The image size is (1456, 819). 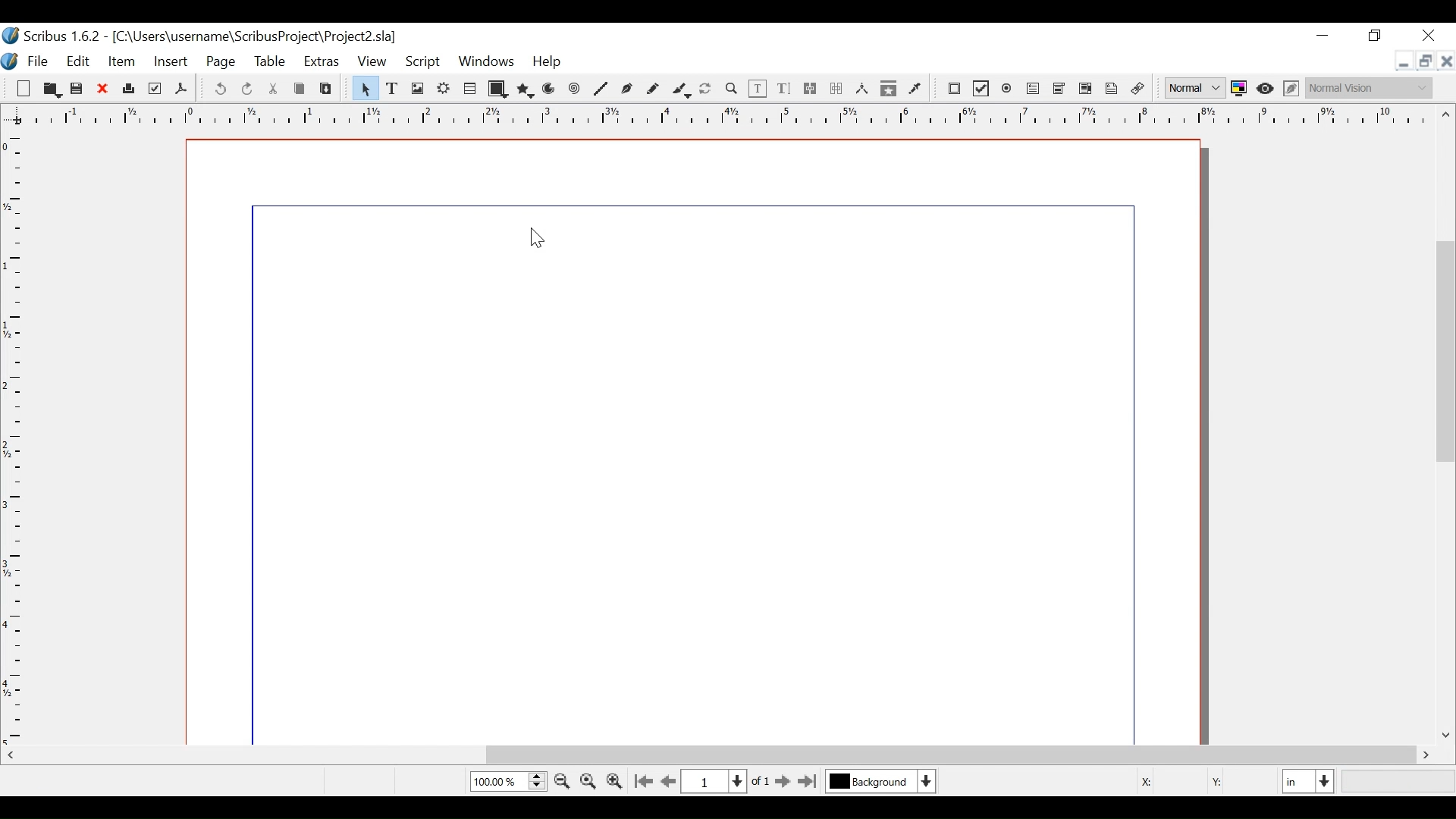 I want to click on Shape, so click(x=499, y=89).